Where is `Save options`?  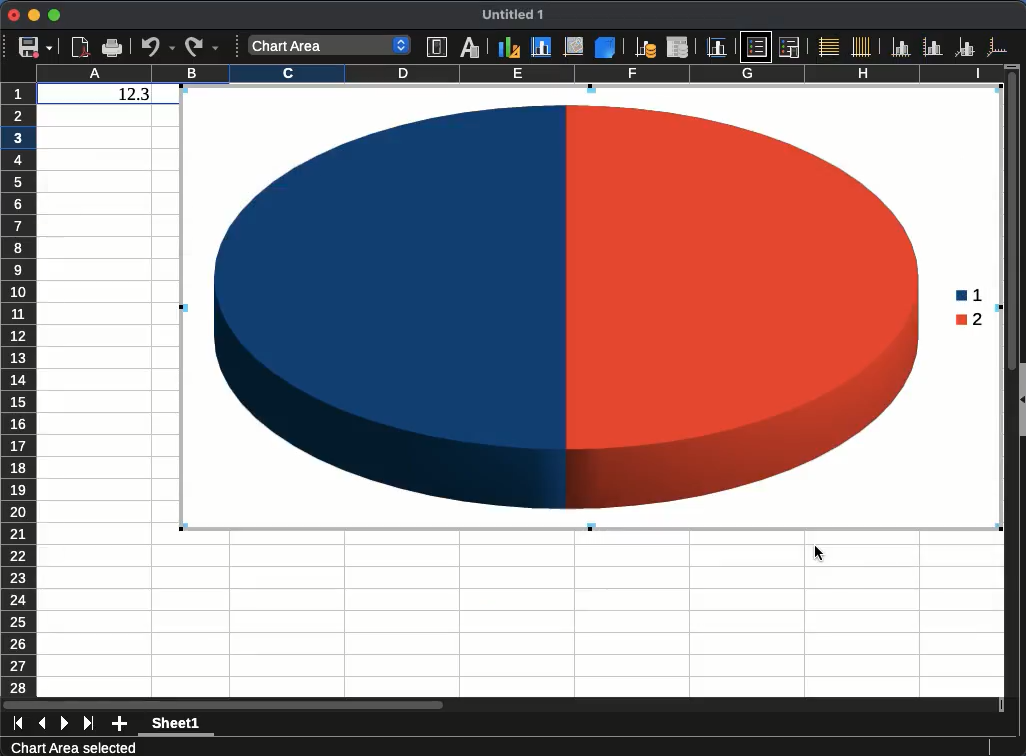 Save options is located at coordinates (36, 47).